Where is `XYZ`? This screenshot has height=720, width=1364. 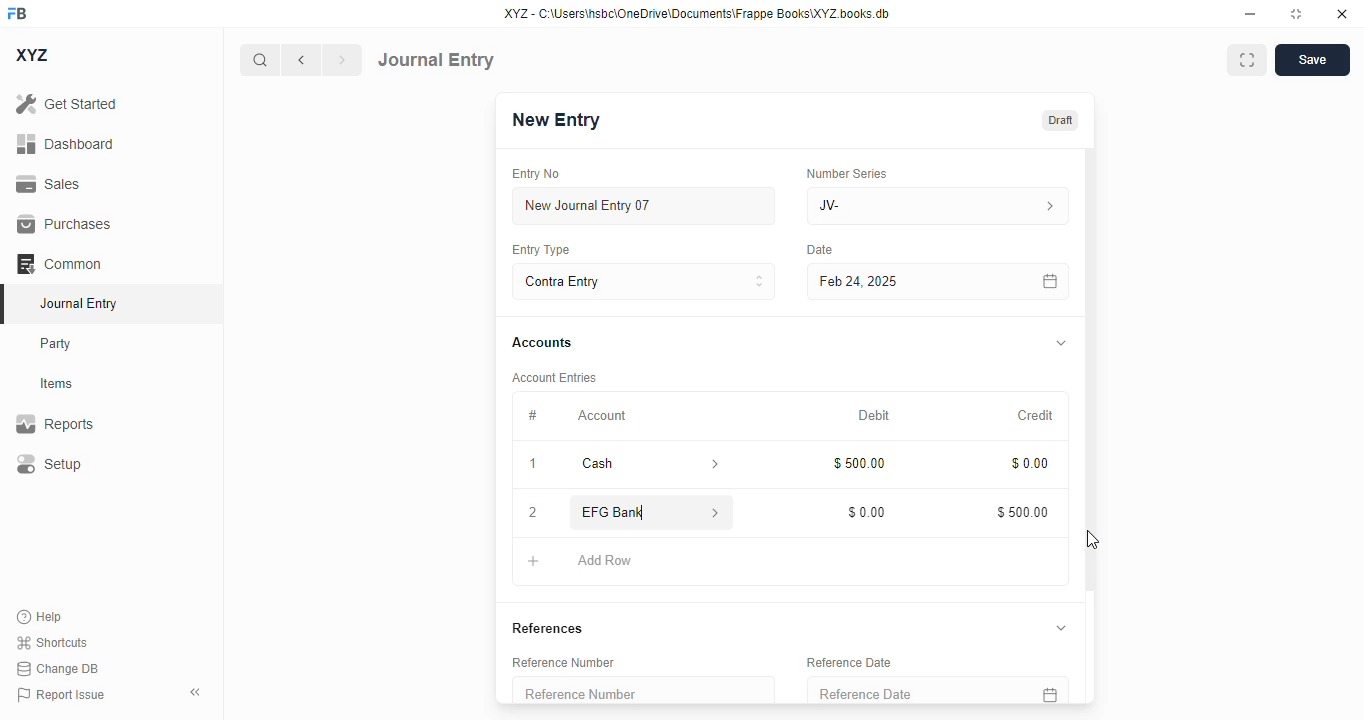 XYZ is located at coordinates (31, 55).